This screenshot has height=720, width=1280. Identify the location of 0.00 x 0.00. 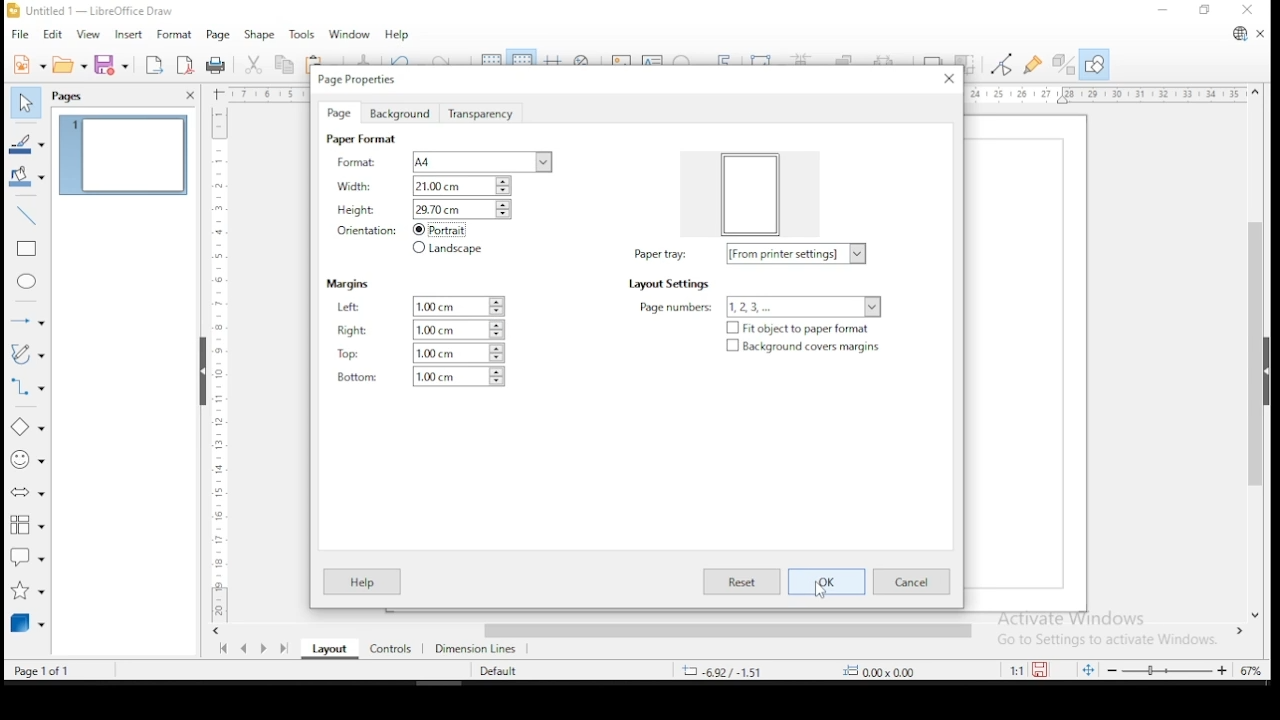
(901, 671).